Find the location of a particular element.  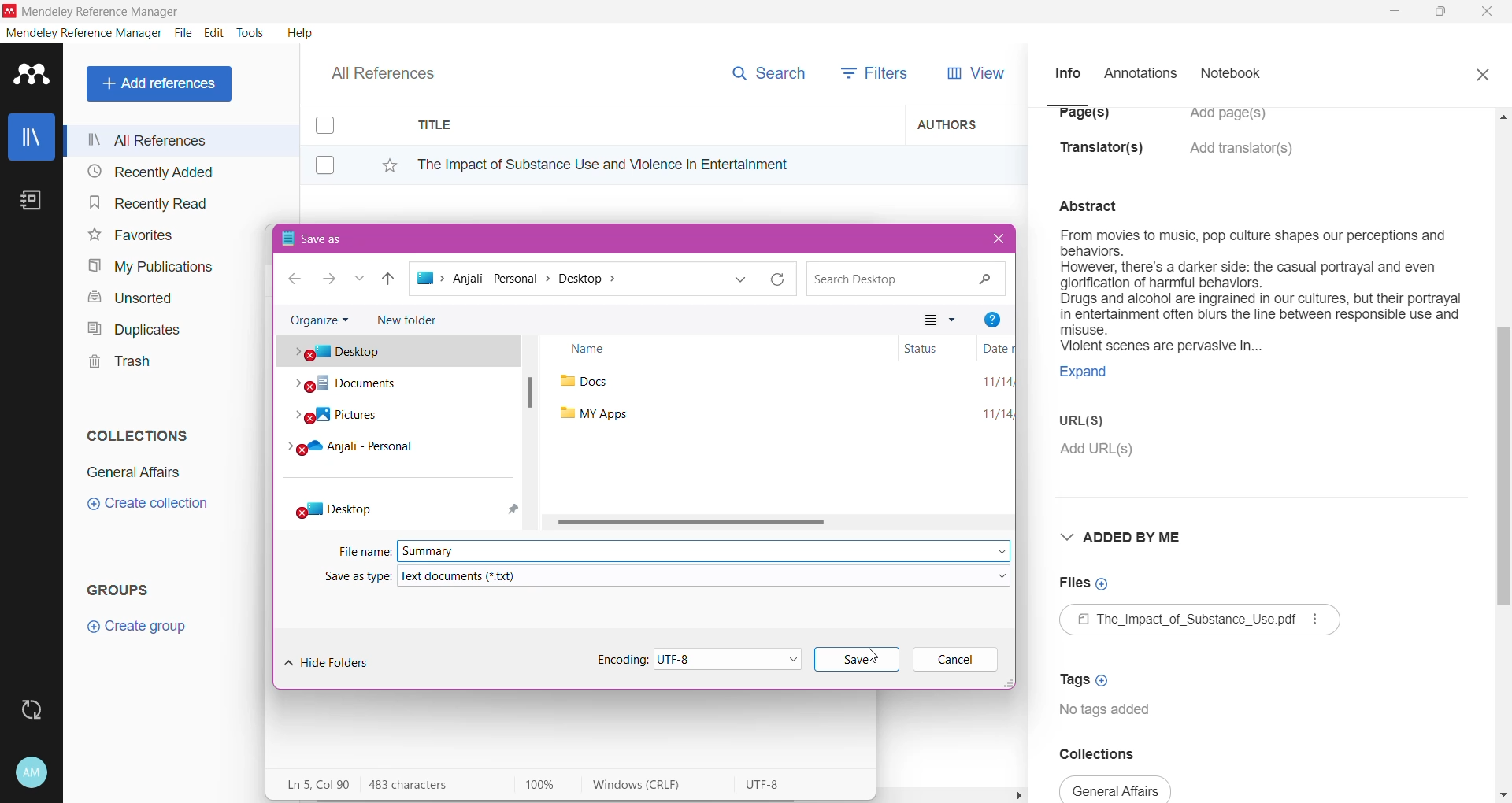

Save as type is located at coordinates (355, 578).